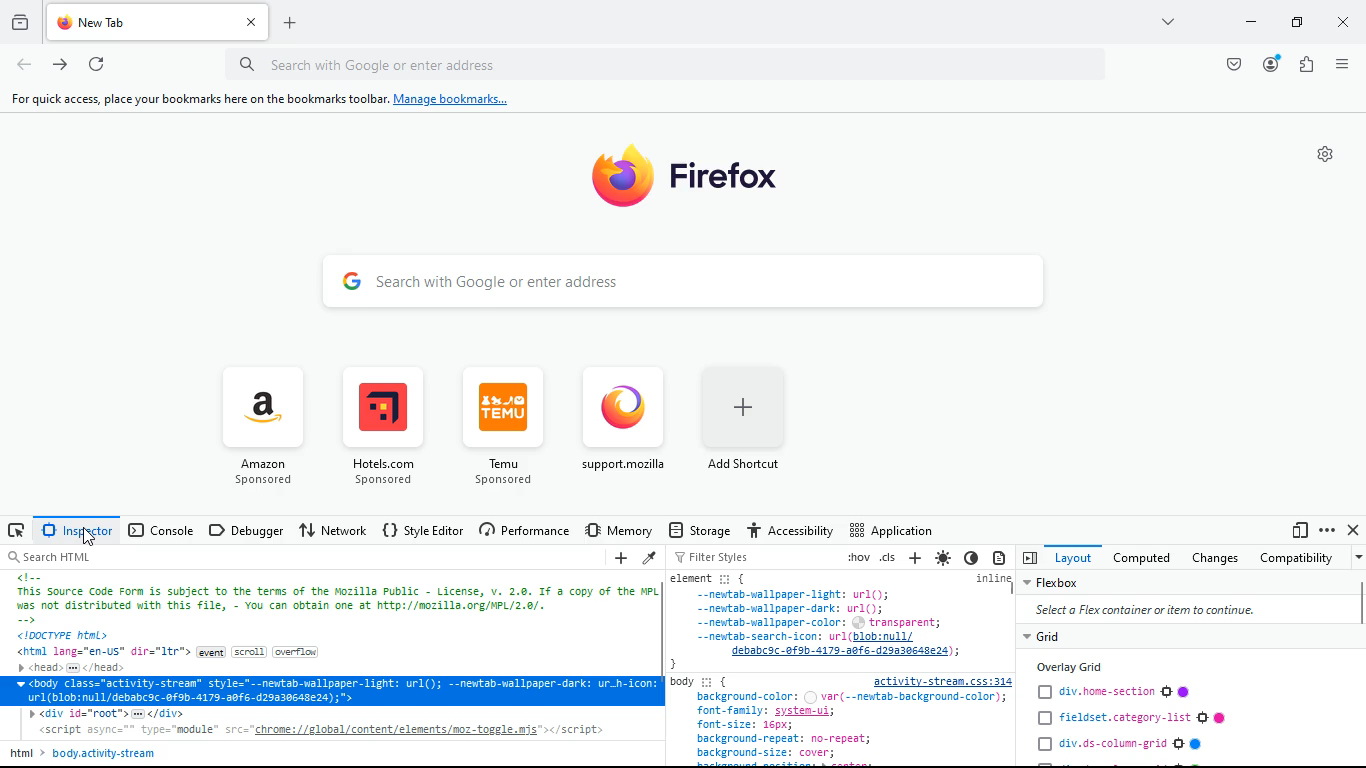  I want to click on application, so click(890, 529).